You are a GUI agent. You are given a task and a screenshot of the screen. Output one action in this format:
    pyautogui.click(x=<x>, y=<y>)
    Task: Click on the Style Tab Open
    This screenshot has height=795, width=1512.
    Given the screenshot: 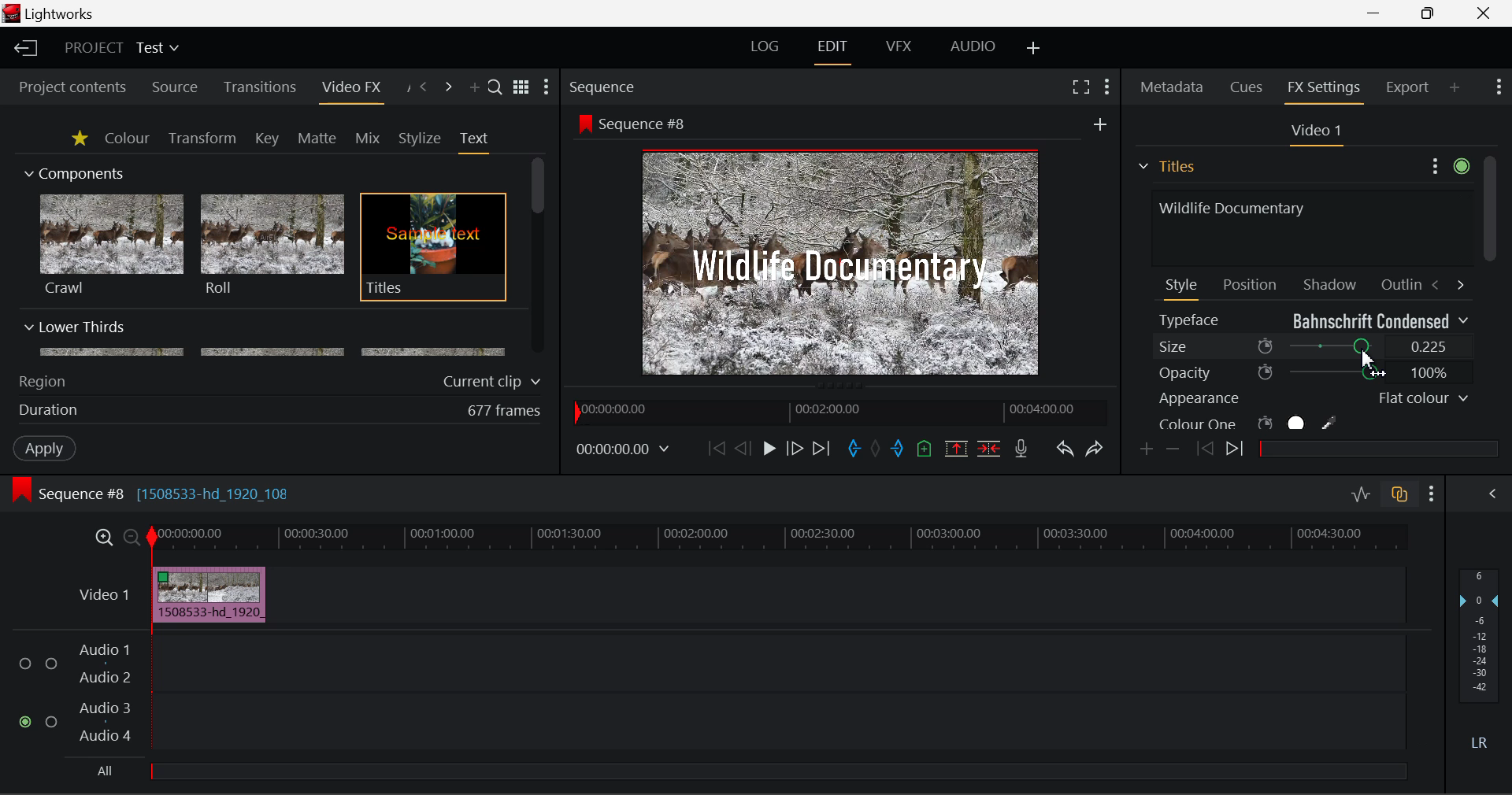 What is the action you would take?
    pyautogui.click(x=1183, y=288)
    